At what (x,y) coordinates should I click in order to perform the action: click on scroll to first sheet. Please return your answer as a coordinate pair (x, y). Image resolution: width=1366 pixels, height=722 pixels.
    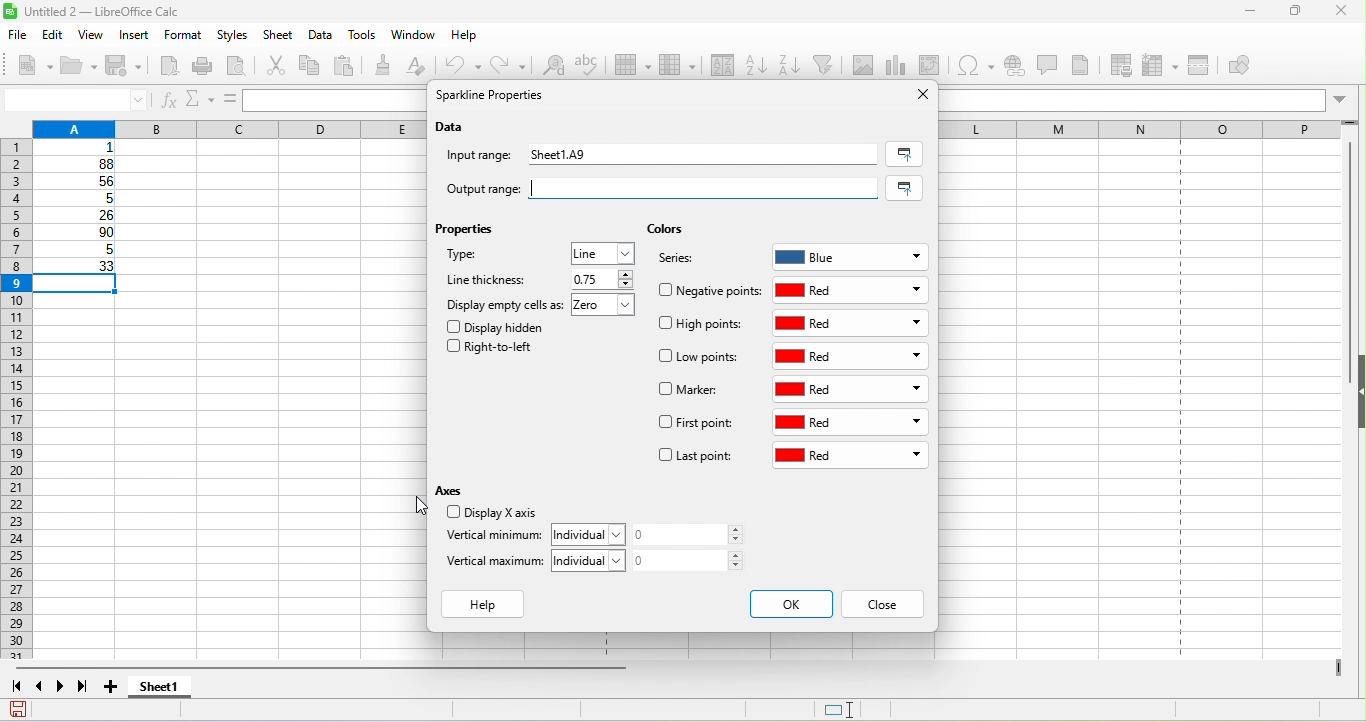
    Looking at the image, I should click on (16, 687).